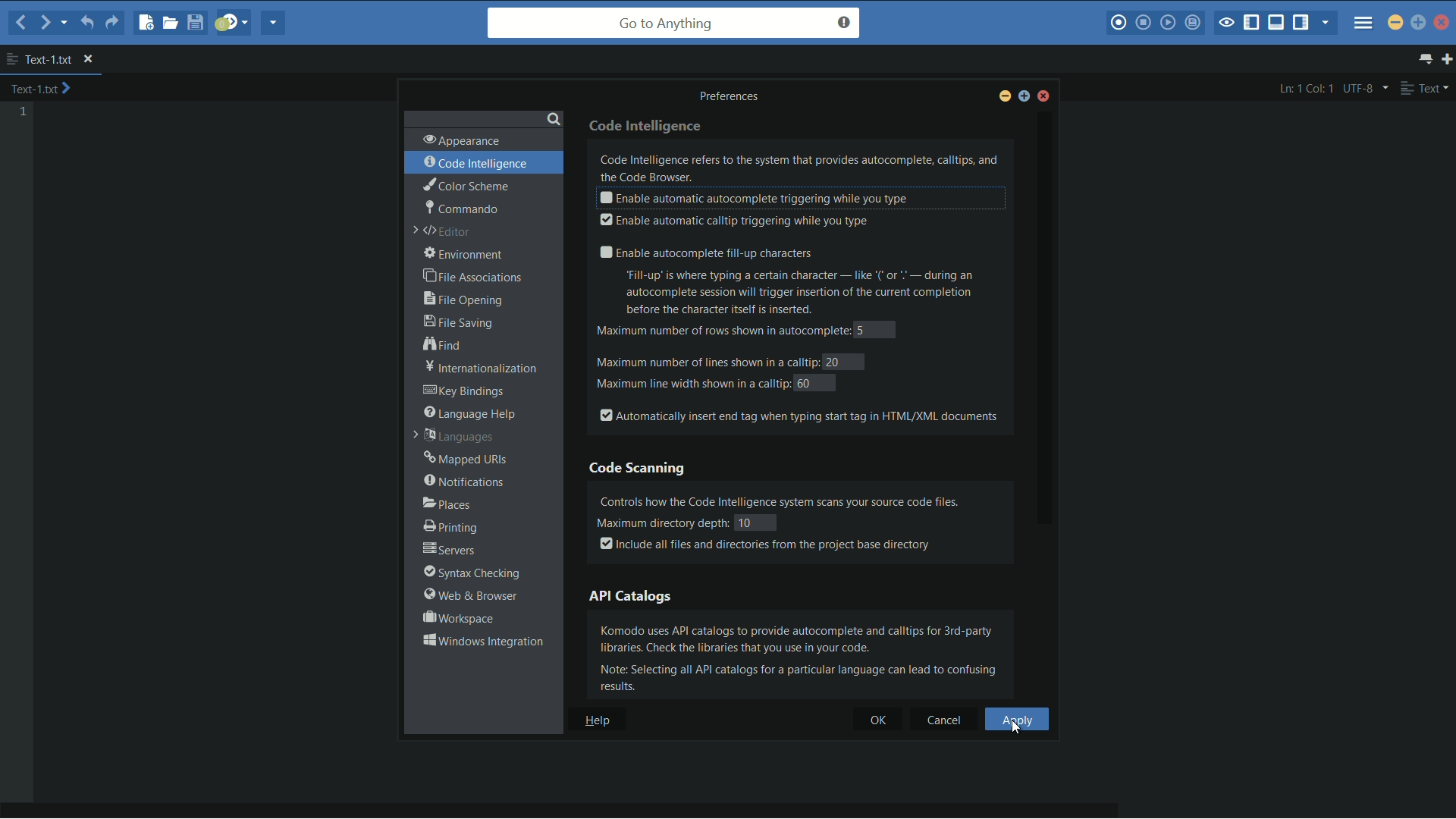  I want to click on line number, so click(24, 112).